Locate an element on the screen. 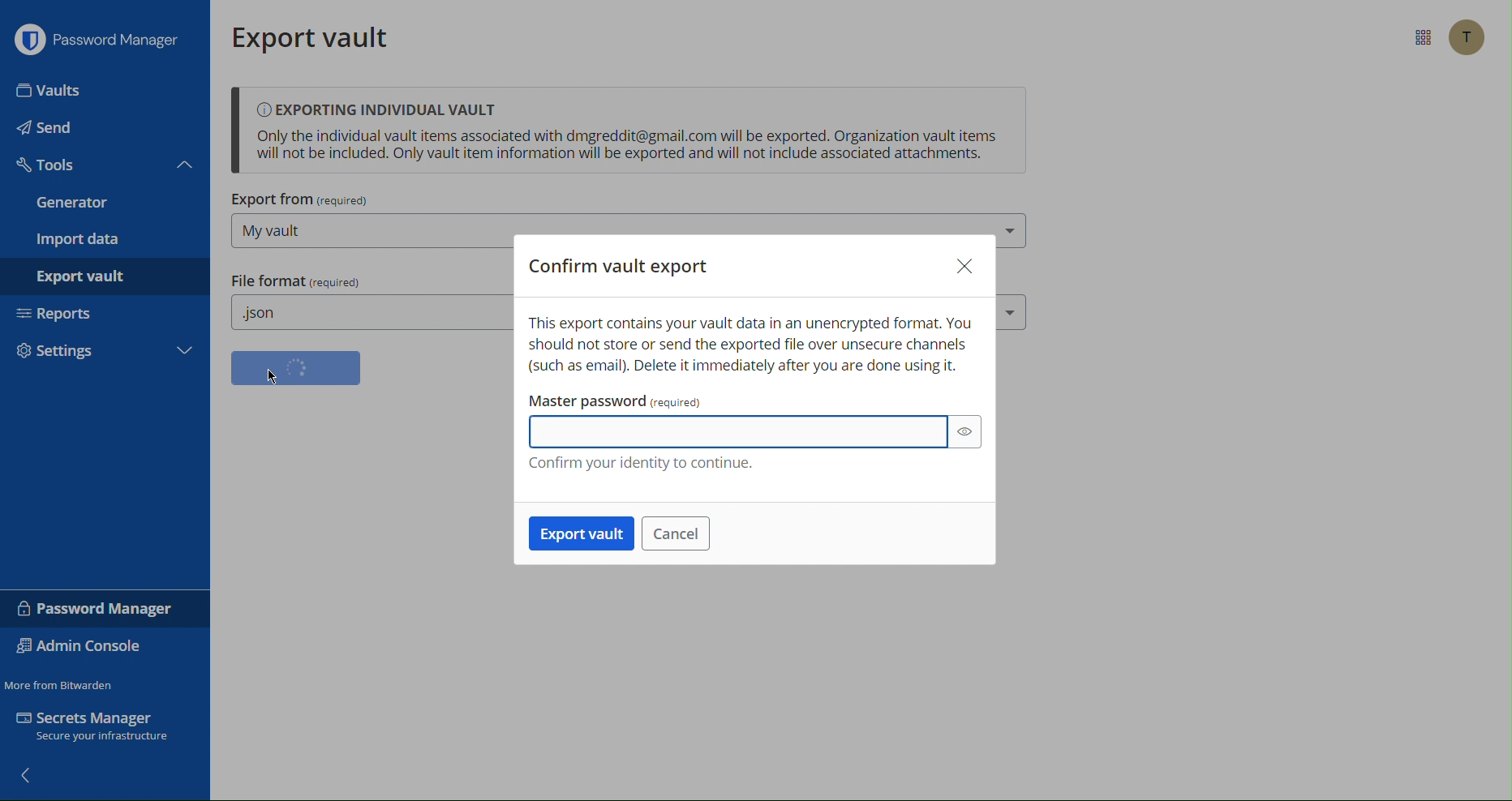 The width and height of the screenshot is (1512, 801). Master Password is located at coordinates (737, 433).